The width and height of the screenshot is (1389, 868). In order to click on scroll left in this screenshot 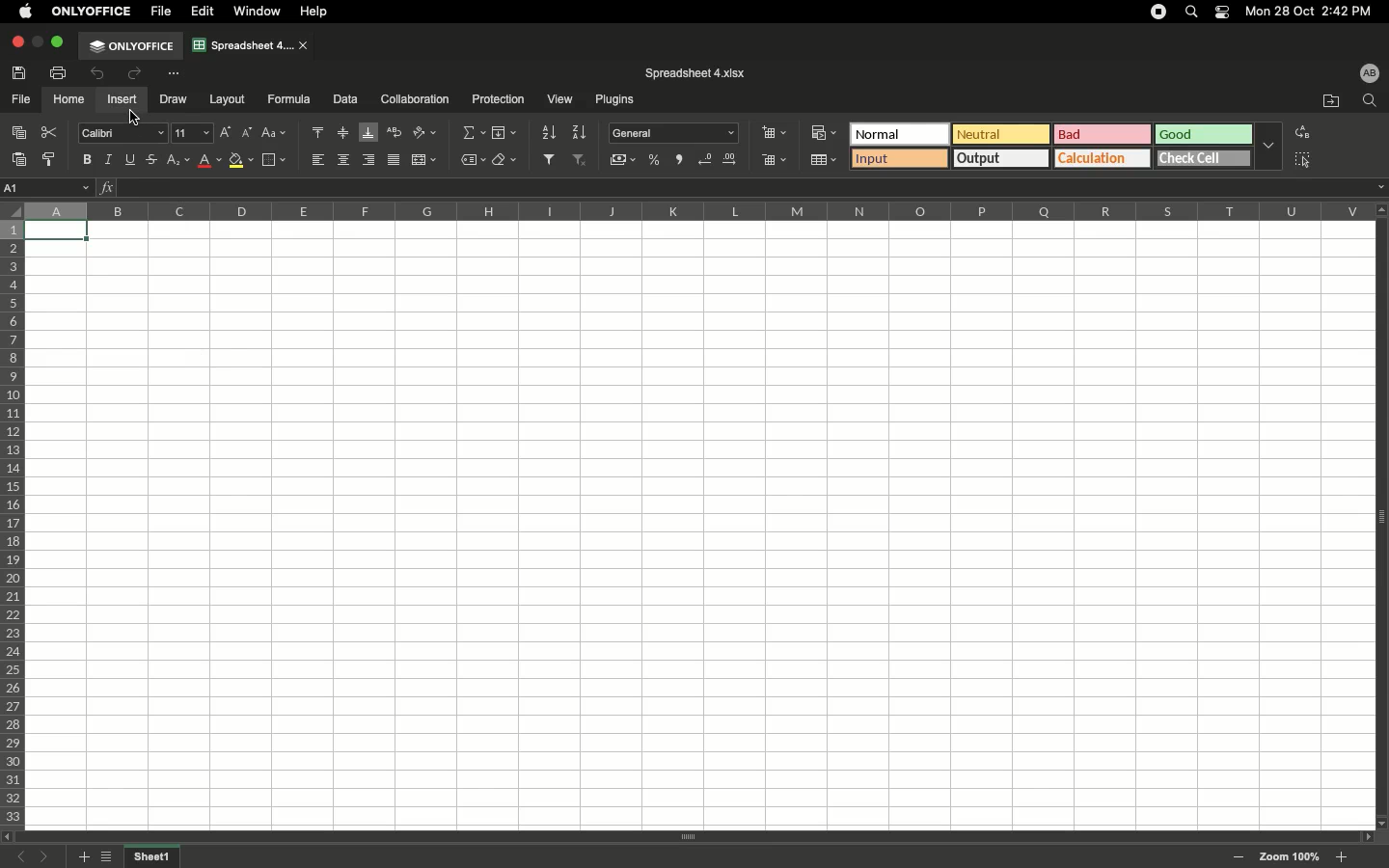, I will do `click(9, 837)`.